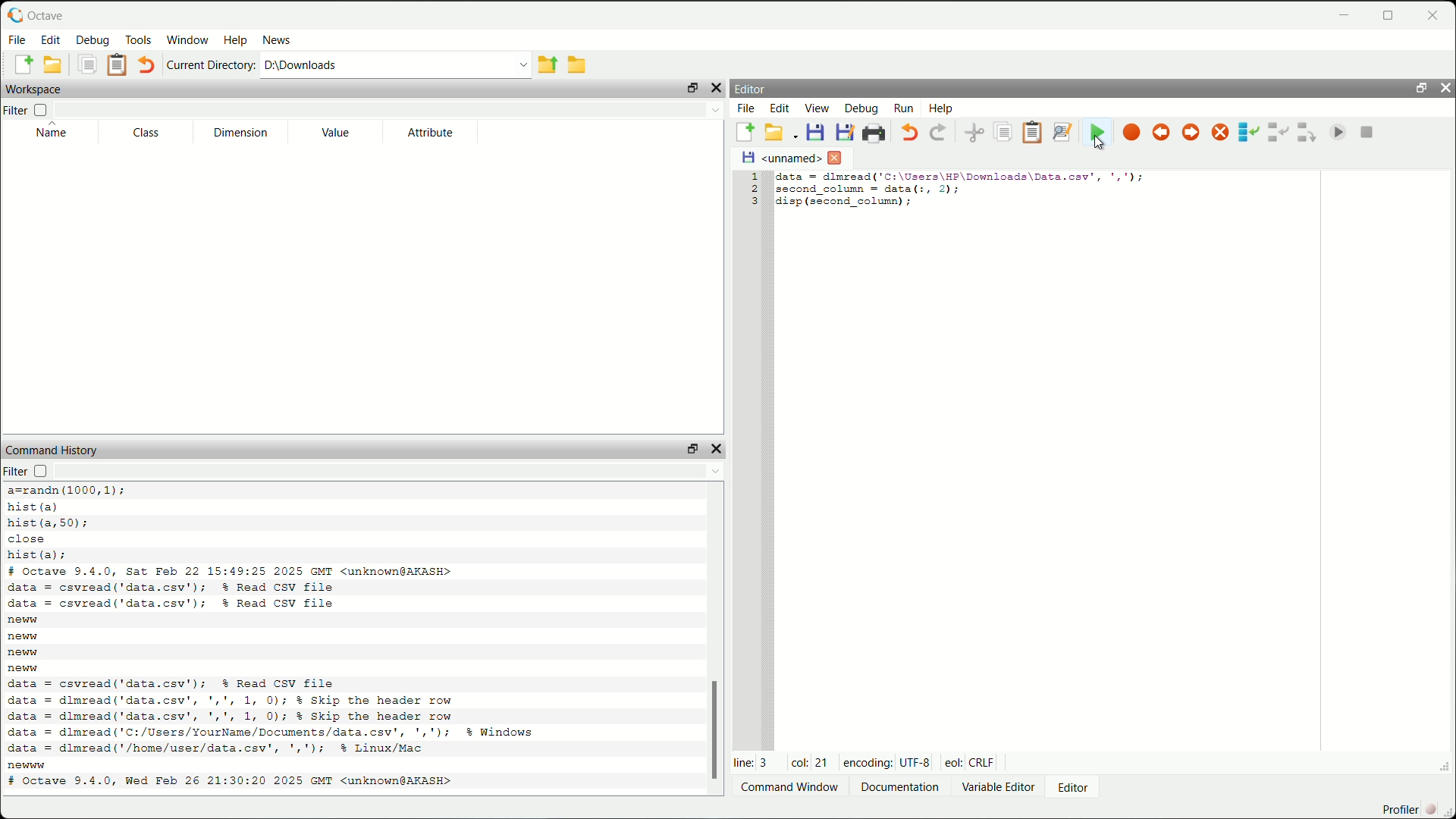 This screenshot has height=819, width=1456. Describe the element at coordinates (146, 67) in the screenshot. I see `undo` at that location.